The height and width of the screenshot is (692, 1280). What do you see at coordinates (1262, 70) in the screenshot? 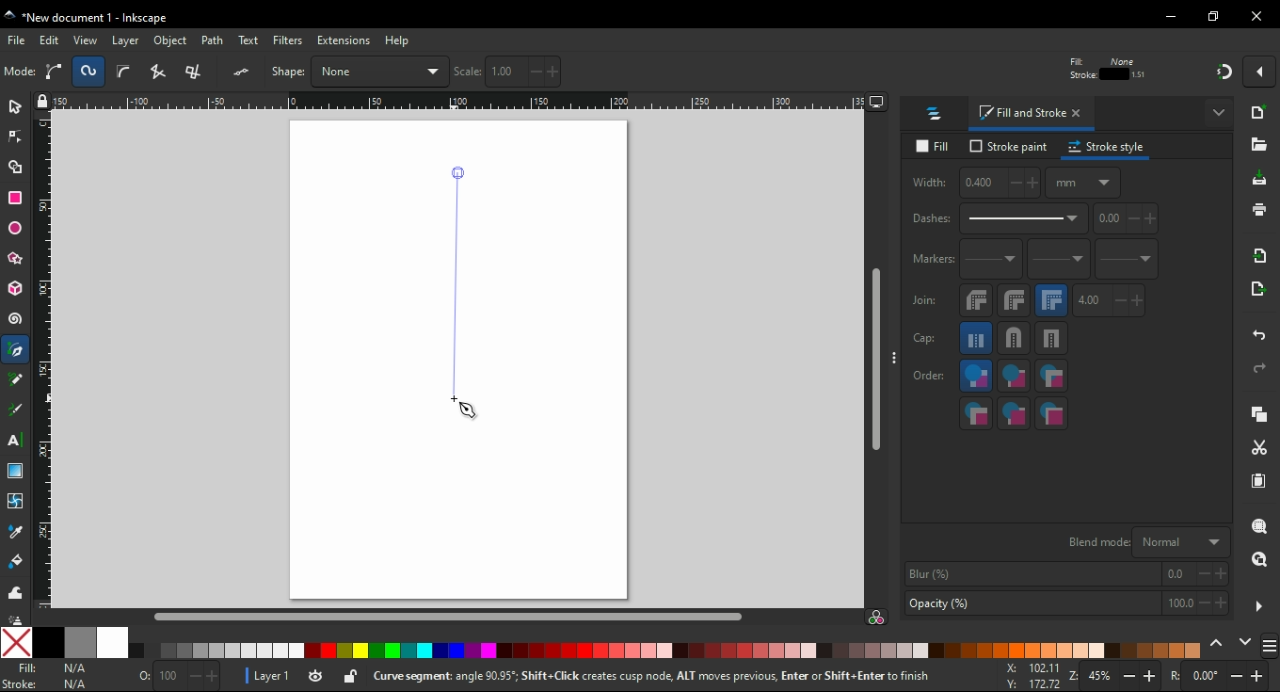
I see `snap options` at bounding box center [1262, 70].